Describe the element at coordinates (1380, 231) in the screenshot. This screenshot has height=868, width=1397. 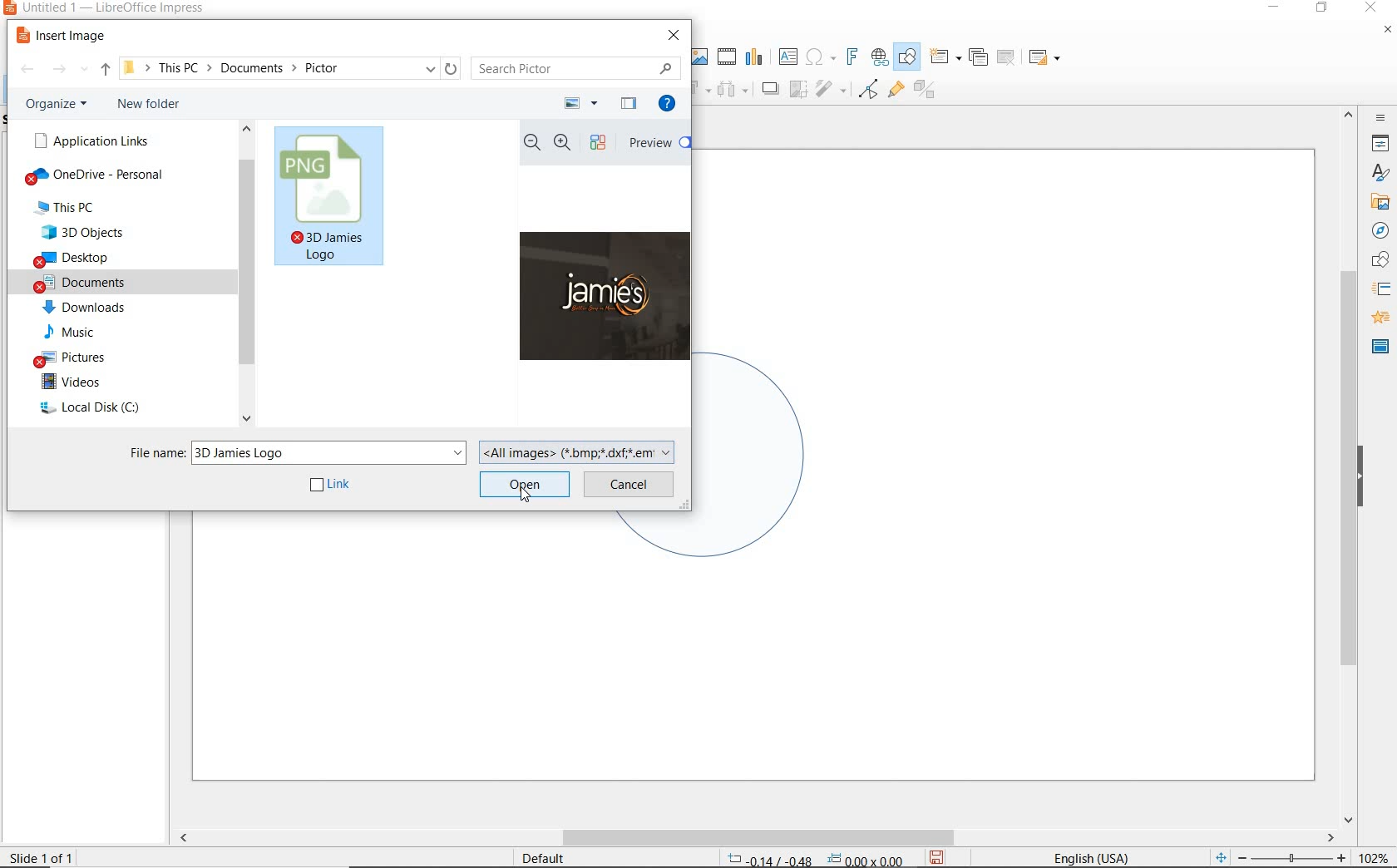
I see `navigator` at that location.